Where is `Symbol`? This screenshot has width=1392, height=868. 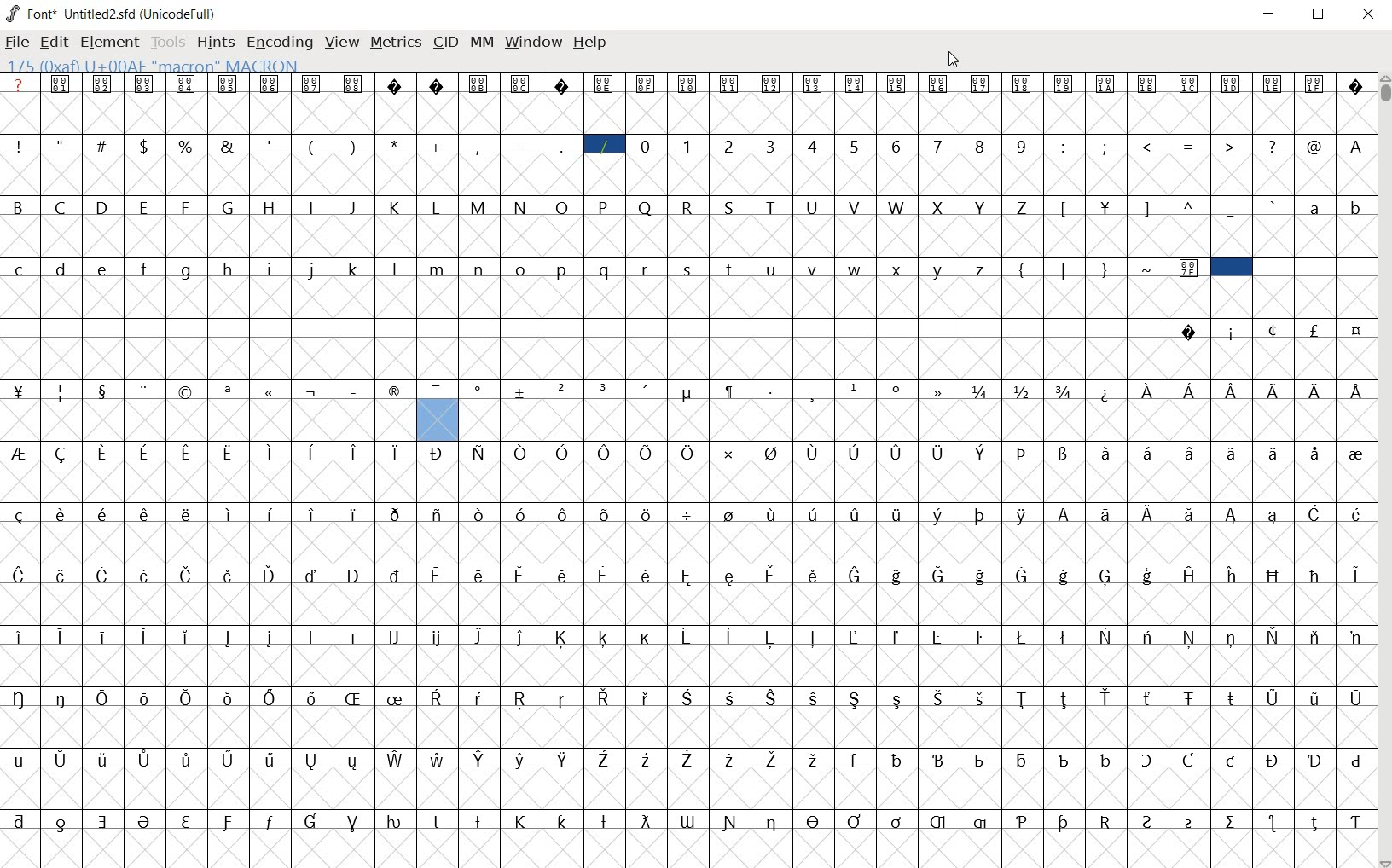
Symbol is located at coordinates (980, 637).